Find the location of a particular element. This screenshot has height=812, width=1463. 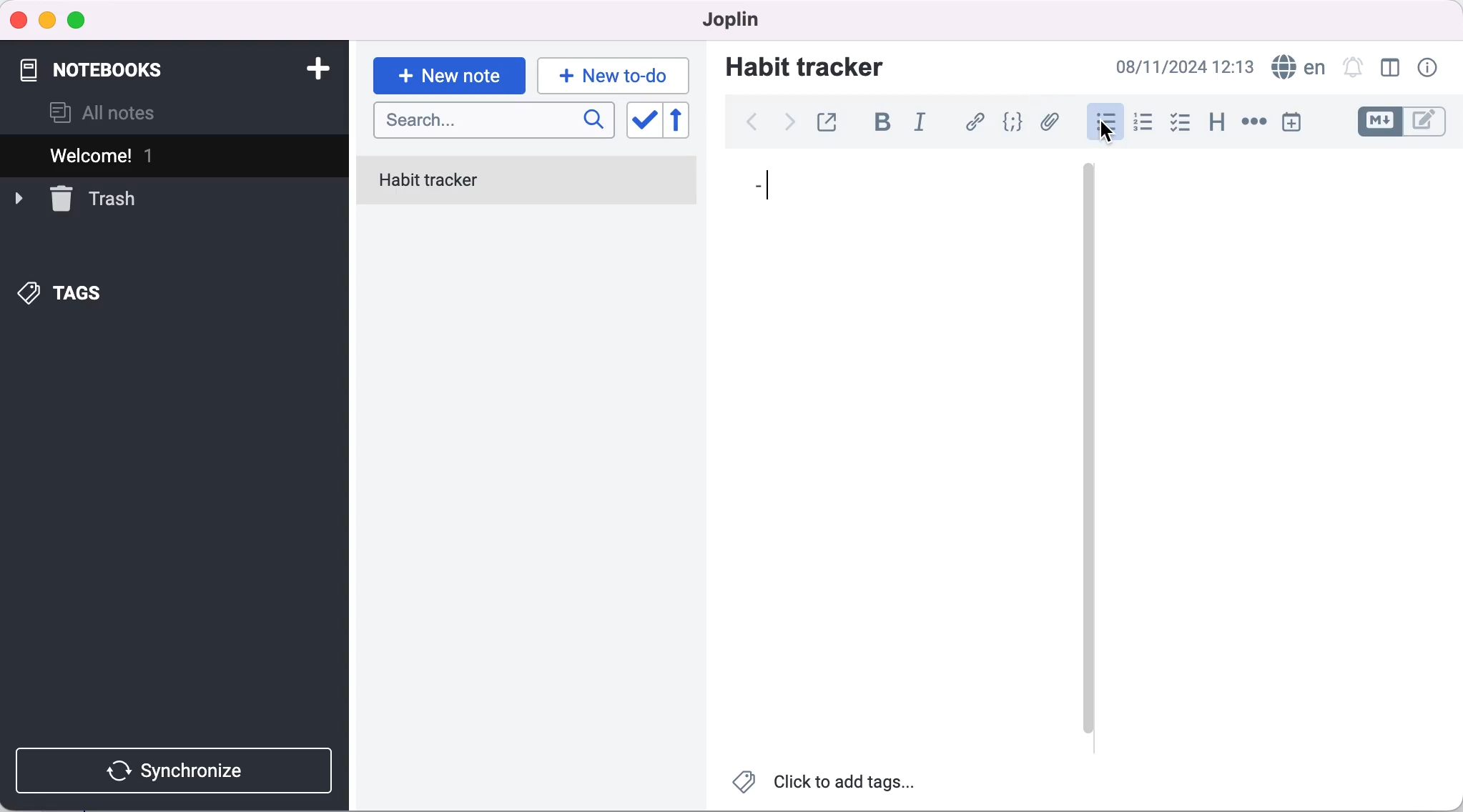

bold is located at coordinates (888, 124).